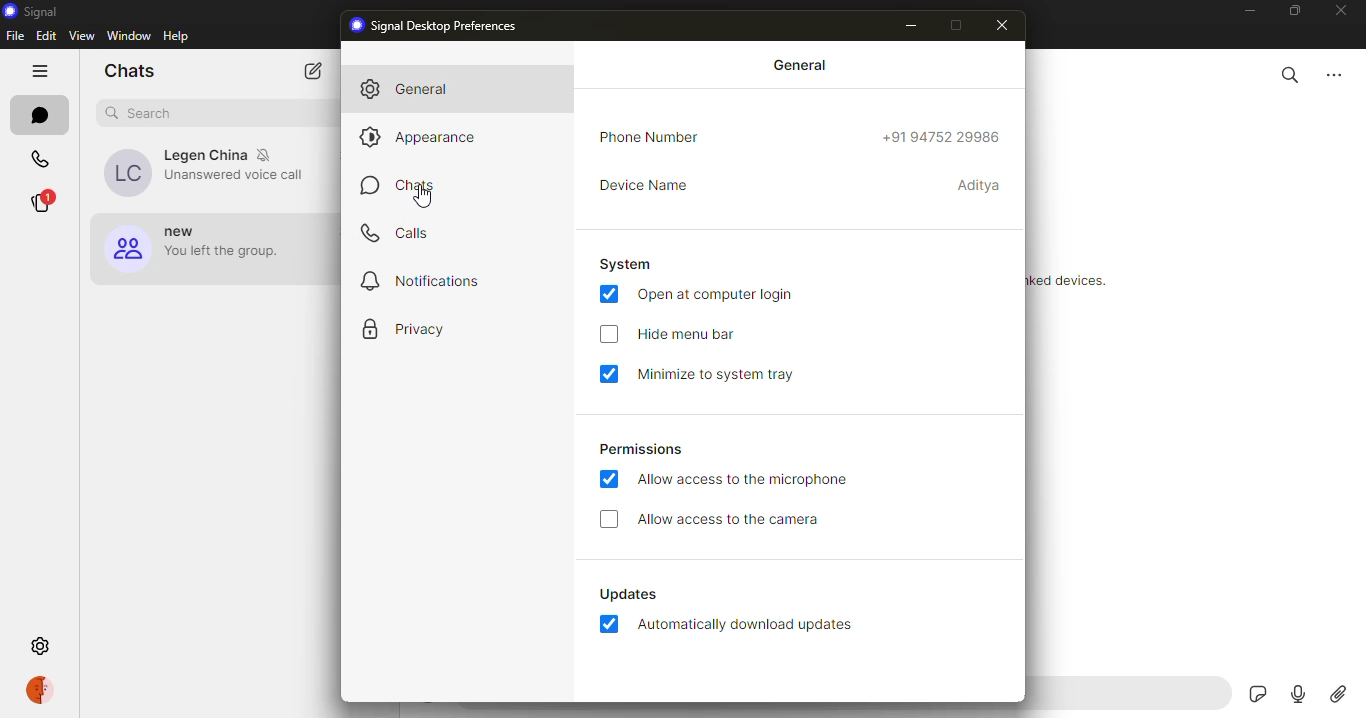 Image resolution: width=1366 pixels, height=718 pixels. I want to click on allow mic access, so click(759, 481).